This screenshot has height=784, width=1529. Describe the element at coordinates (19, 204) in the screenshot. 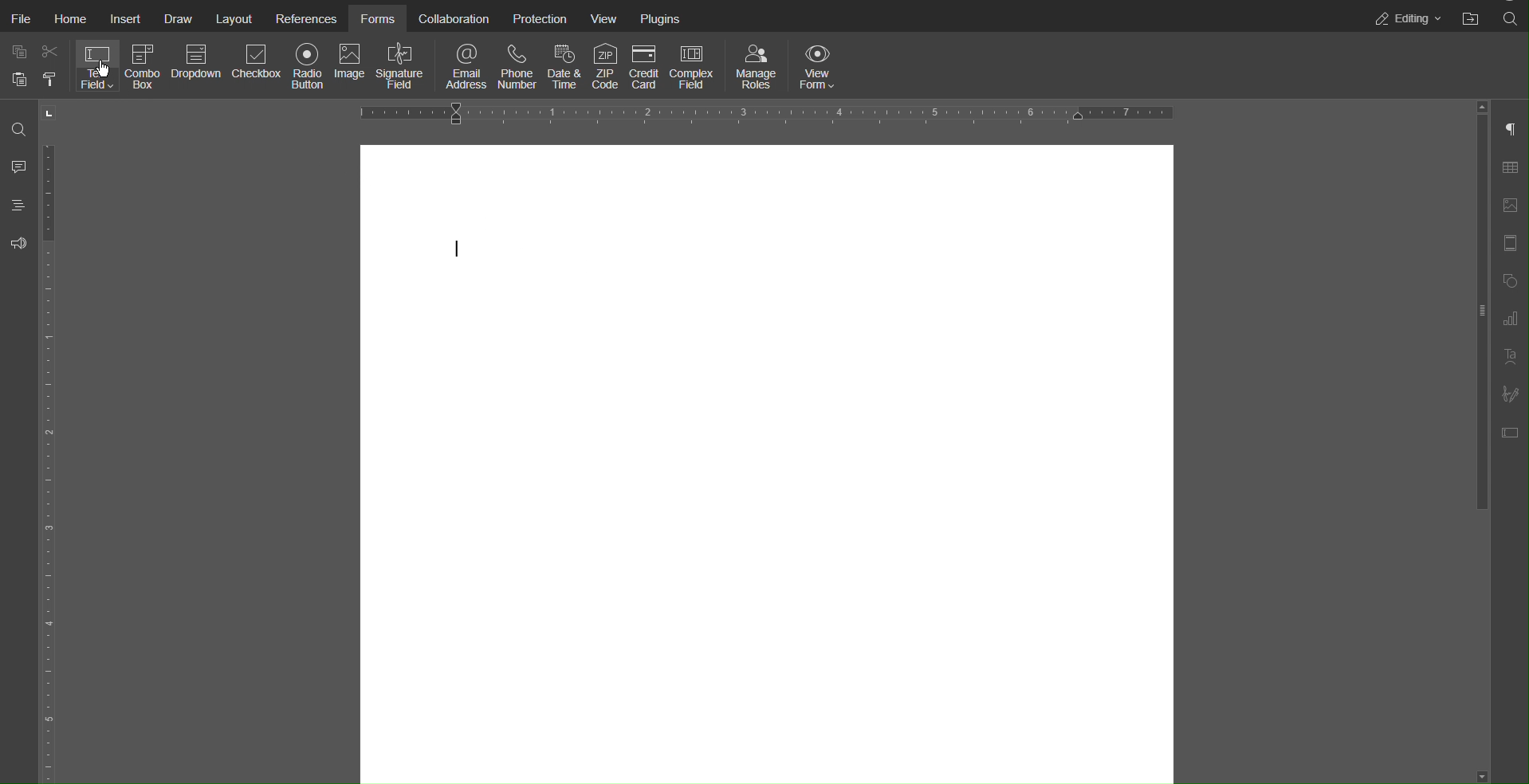

I see `Headings` at that location.